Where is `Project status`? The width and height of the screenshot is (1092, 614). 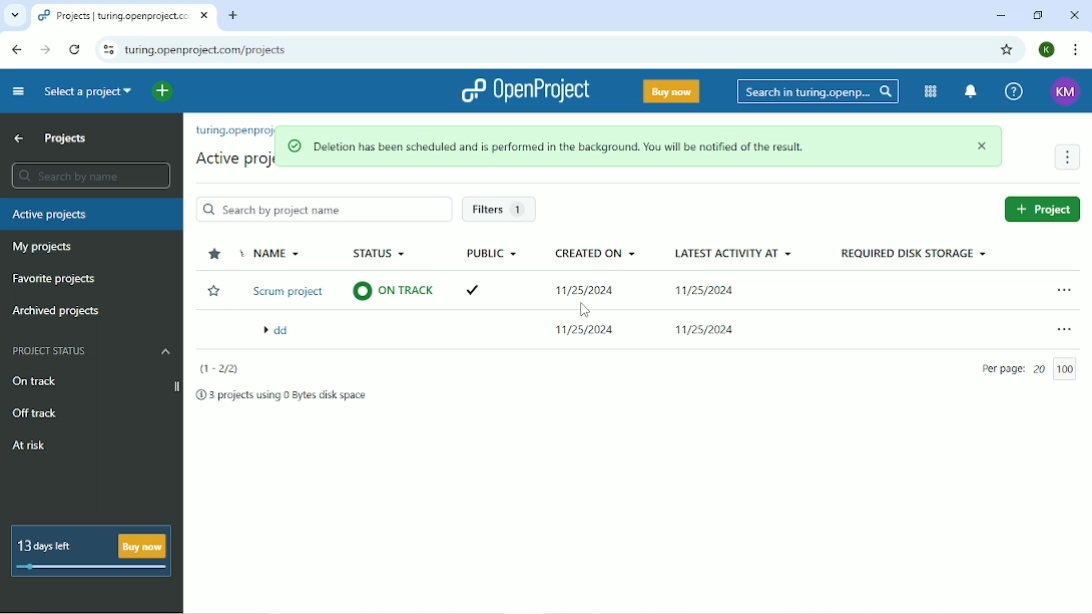 Project status is located at coordinates (91, 350).